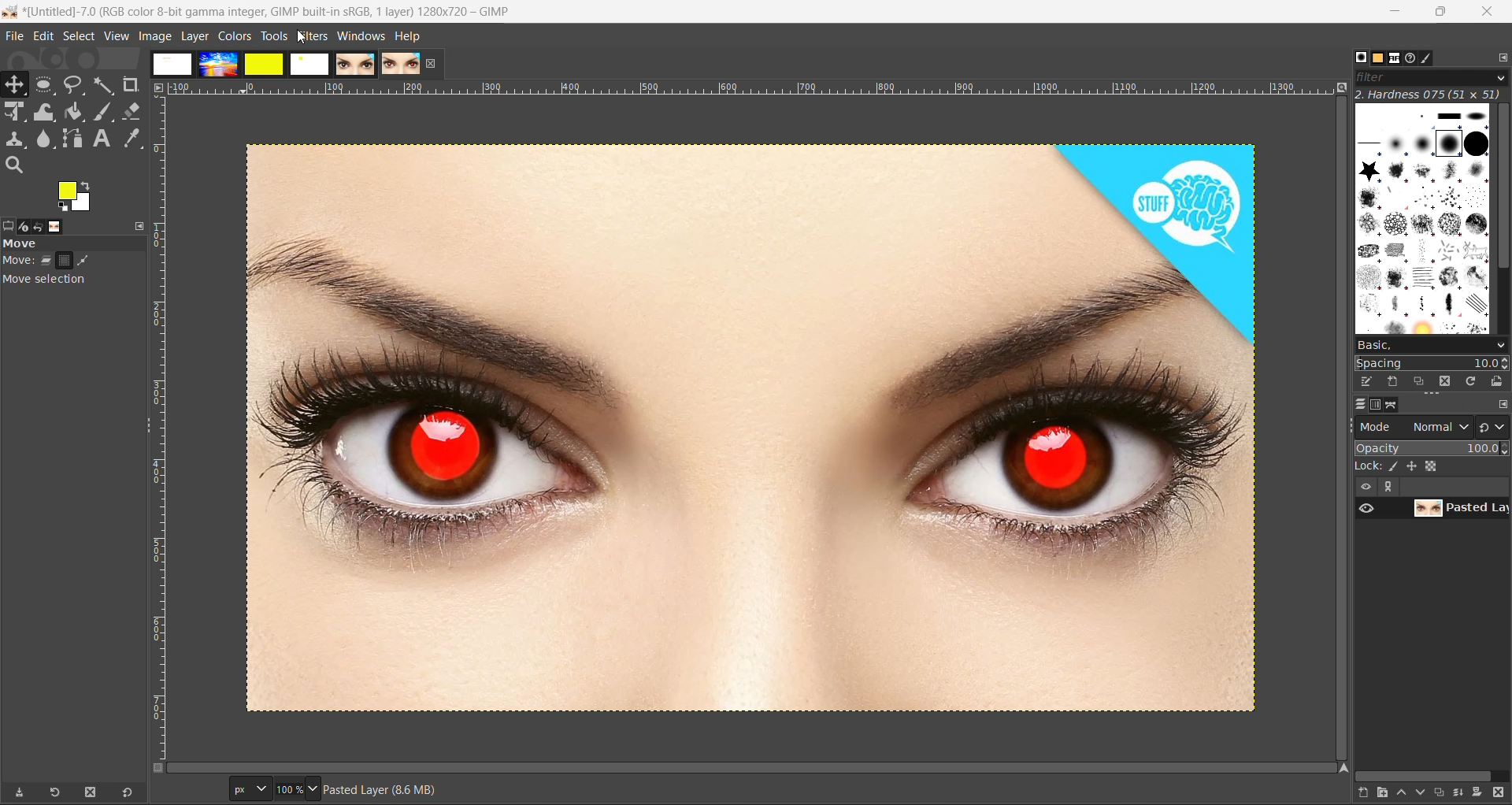  Describe the element at coordinates (75, 86) in the screenshot. I see `free select tool` at that location.